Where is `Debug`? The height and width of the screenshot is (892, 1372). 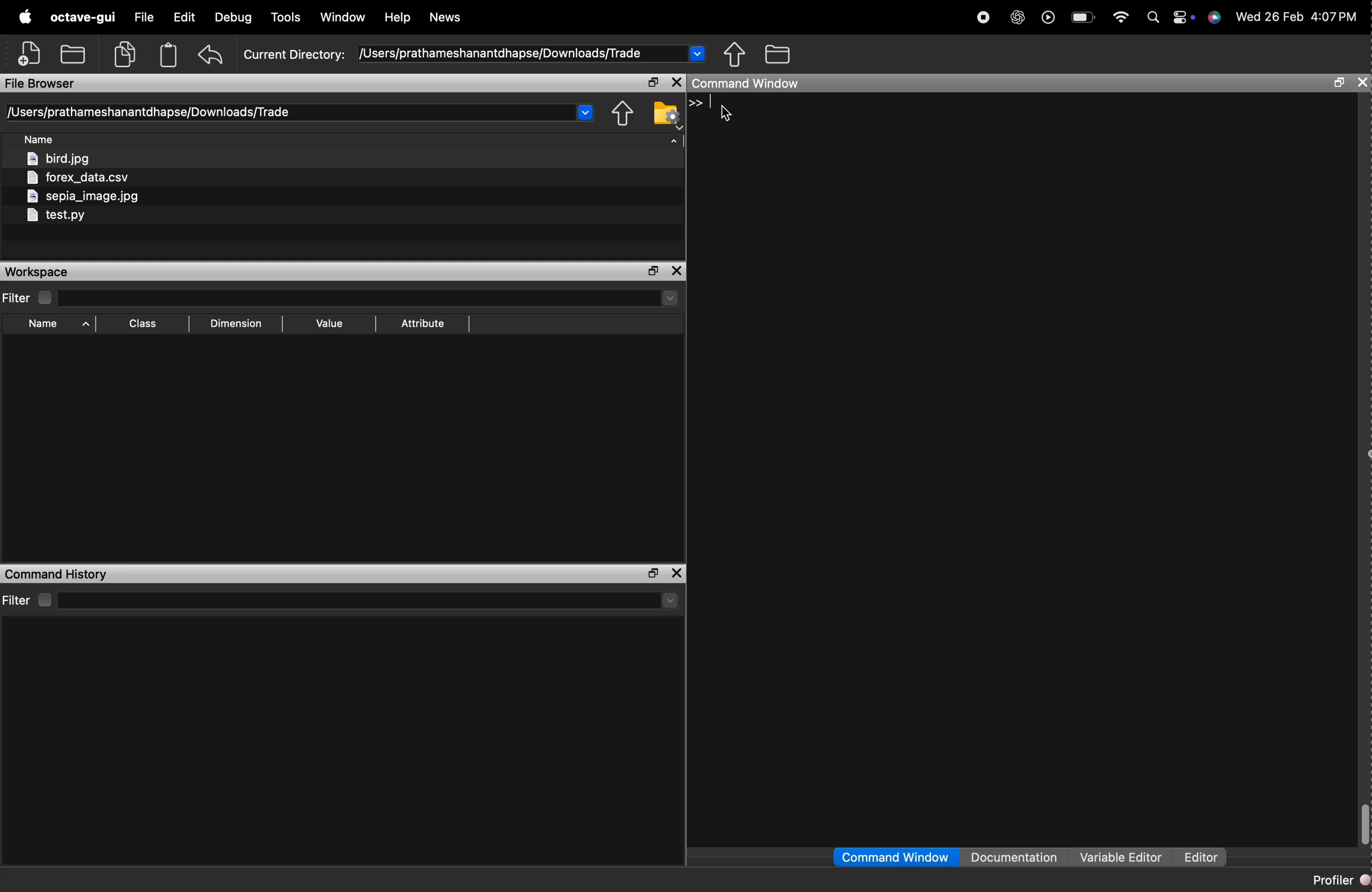 Debug is located at coordinates (233, 17).